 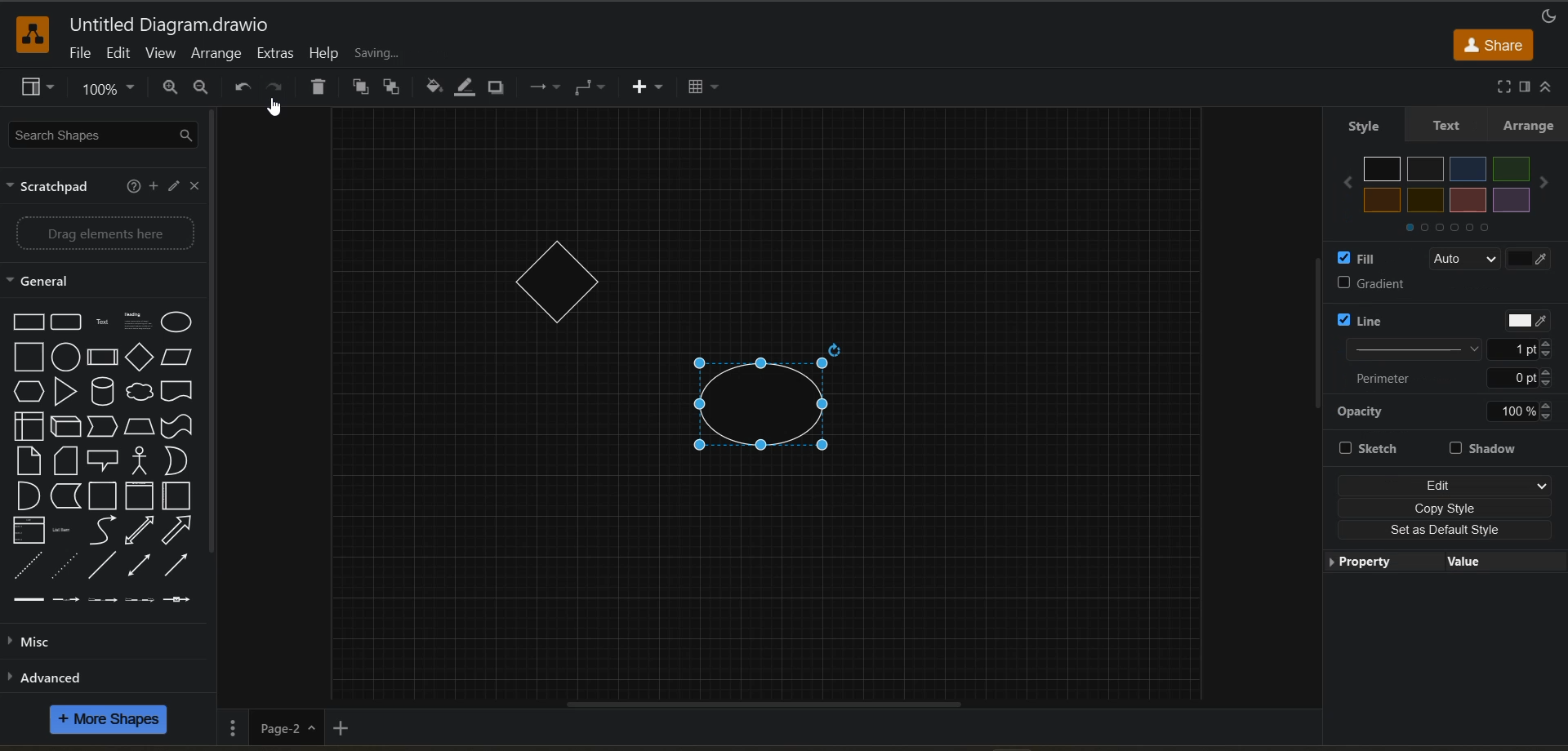 What do you see at coordinates (199, 87) in the screenshot?
I see `zoom out` at bounding box center [199, 87].